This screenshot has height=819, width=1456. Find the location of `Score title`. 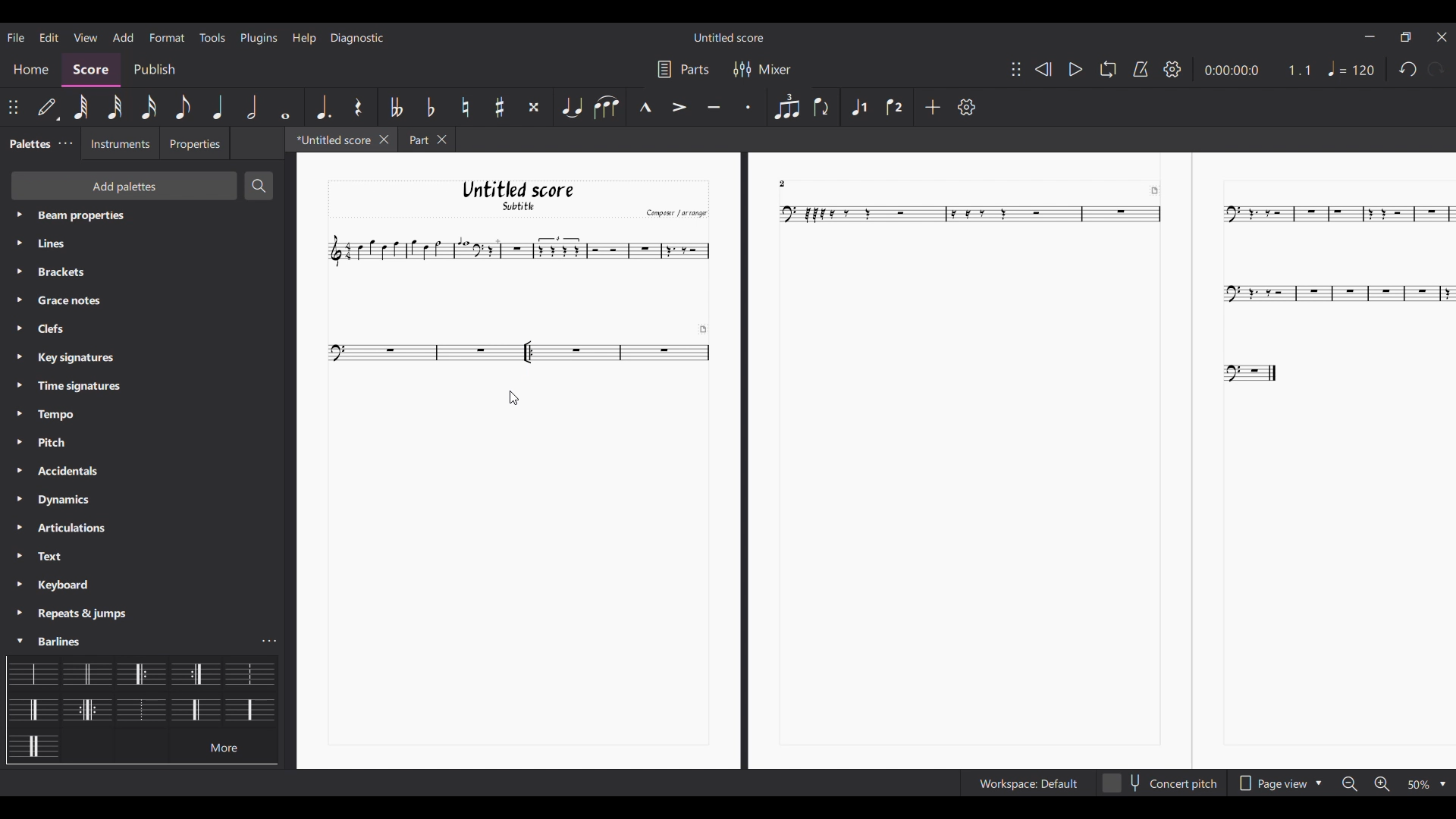

Score title is located at coordinates (728, 36).